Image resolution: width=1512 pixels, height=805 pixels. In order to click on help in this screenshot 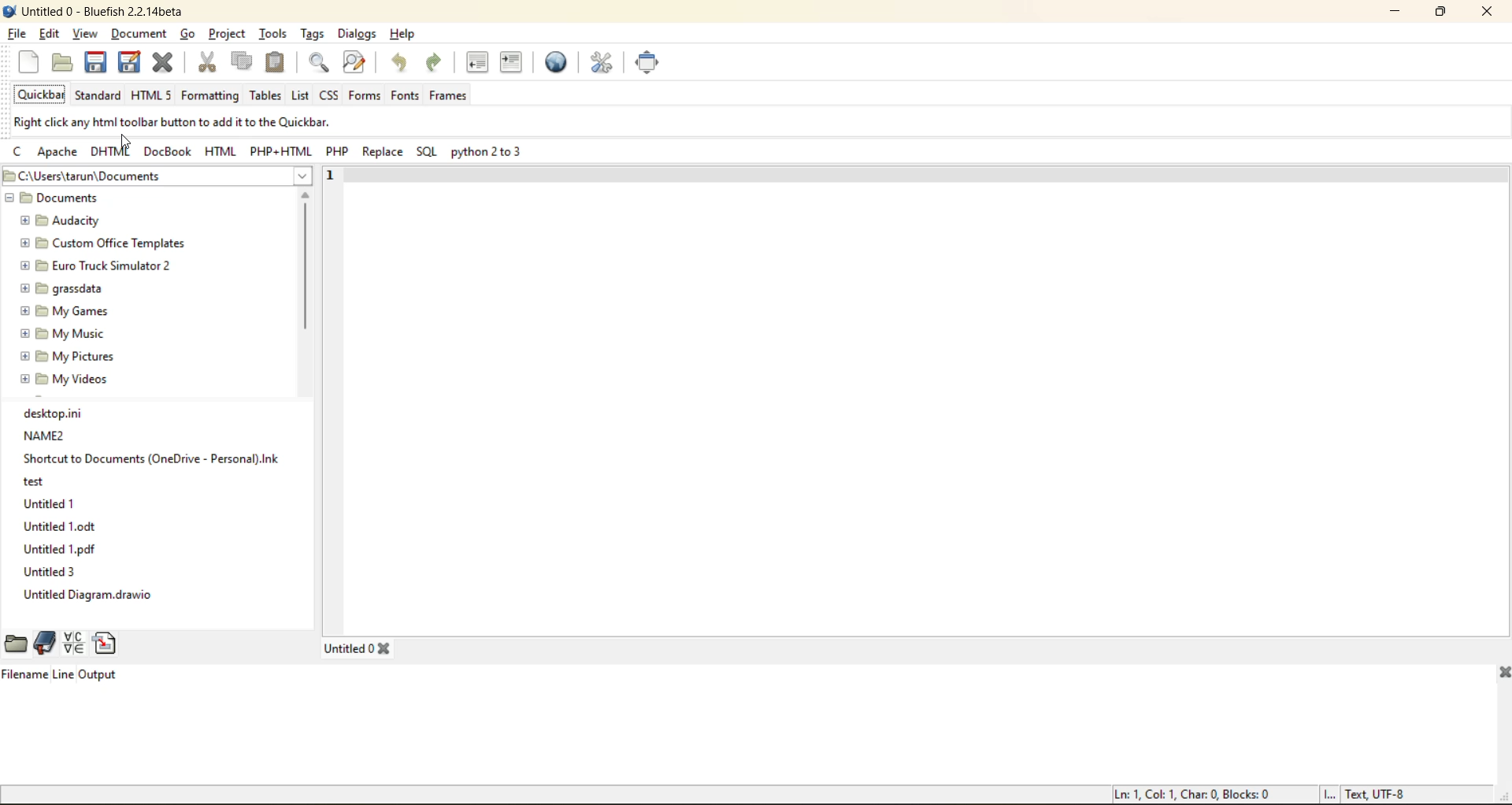, I will do `click(402, 34)`.